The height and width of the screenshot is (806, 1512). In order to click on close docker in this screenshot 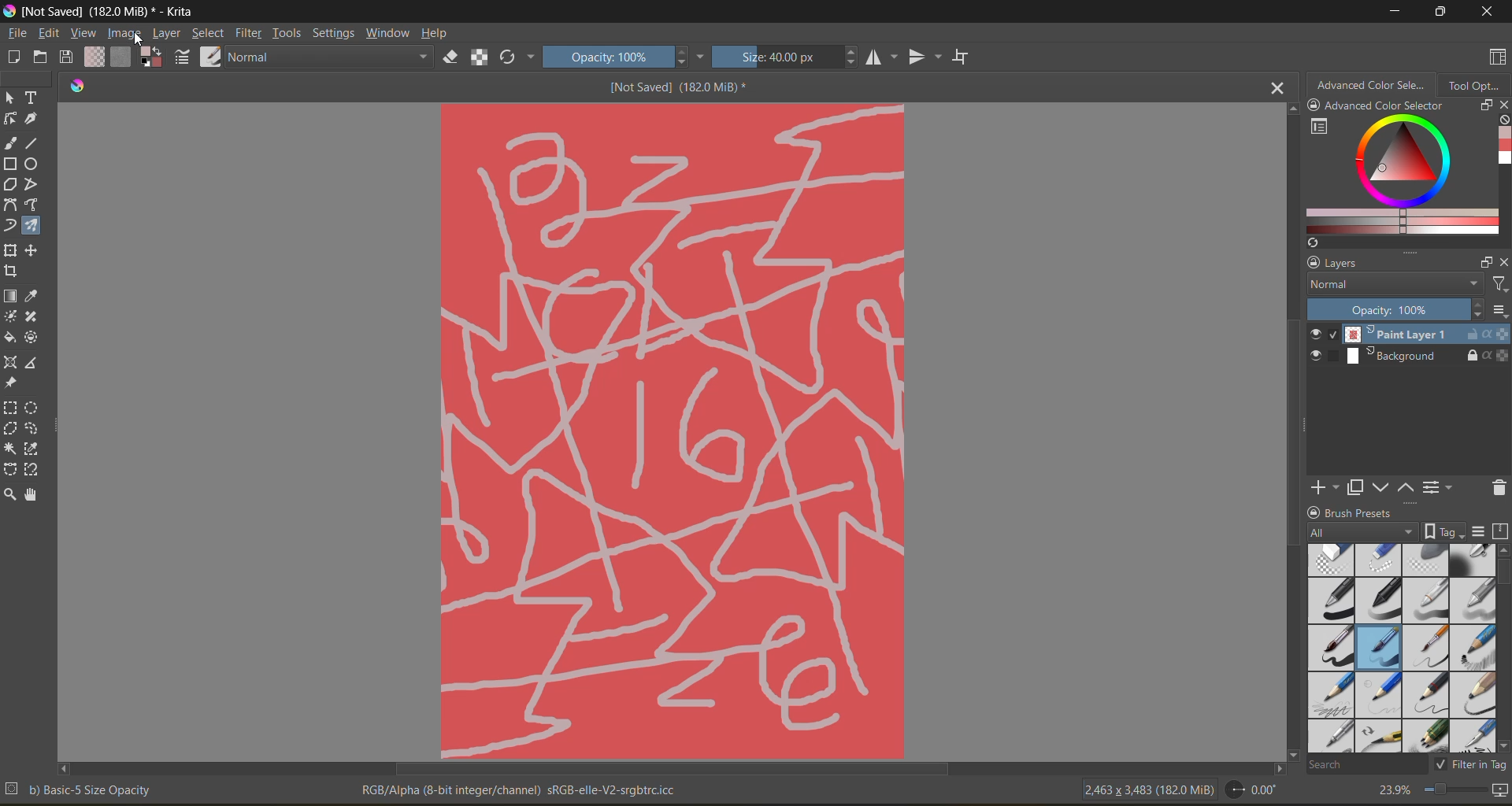, I will do `click(1503, 105)`.